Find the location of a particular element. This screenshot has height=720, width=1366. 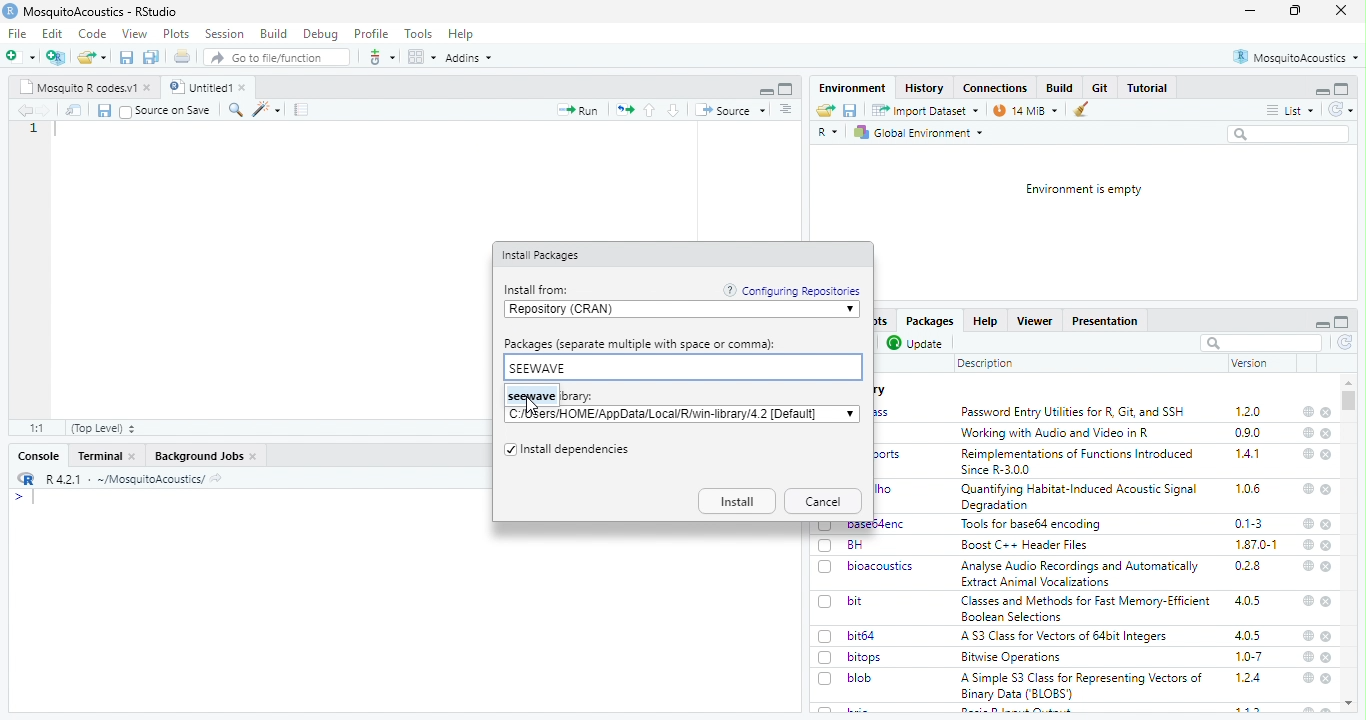

scroll down is located at coordinates (1350, 704).